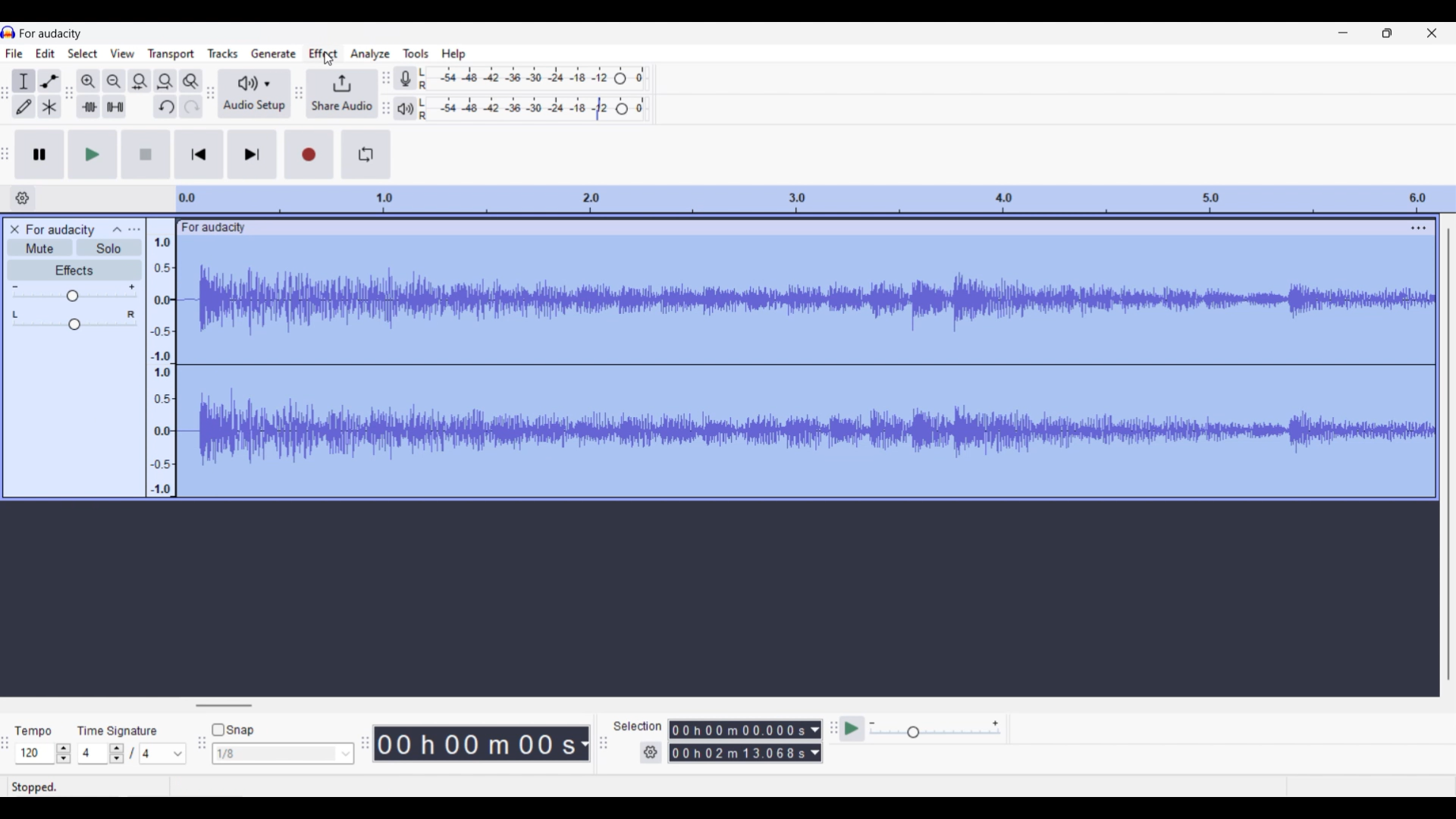 This screenshot has height=819, width=1456. I want to click on Pan slide, so click(74, 320).